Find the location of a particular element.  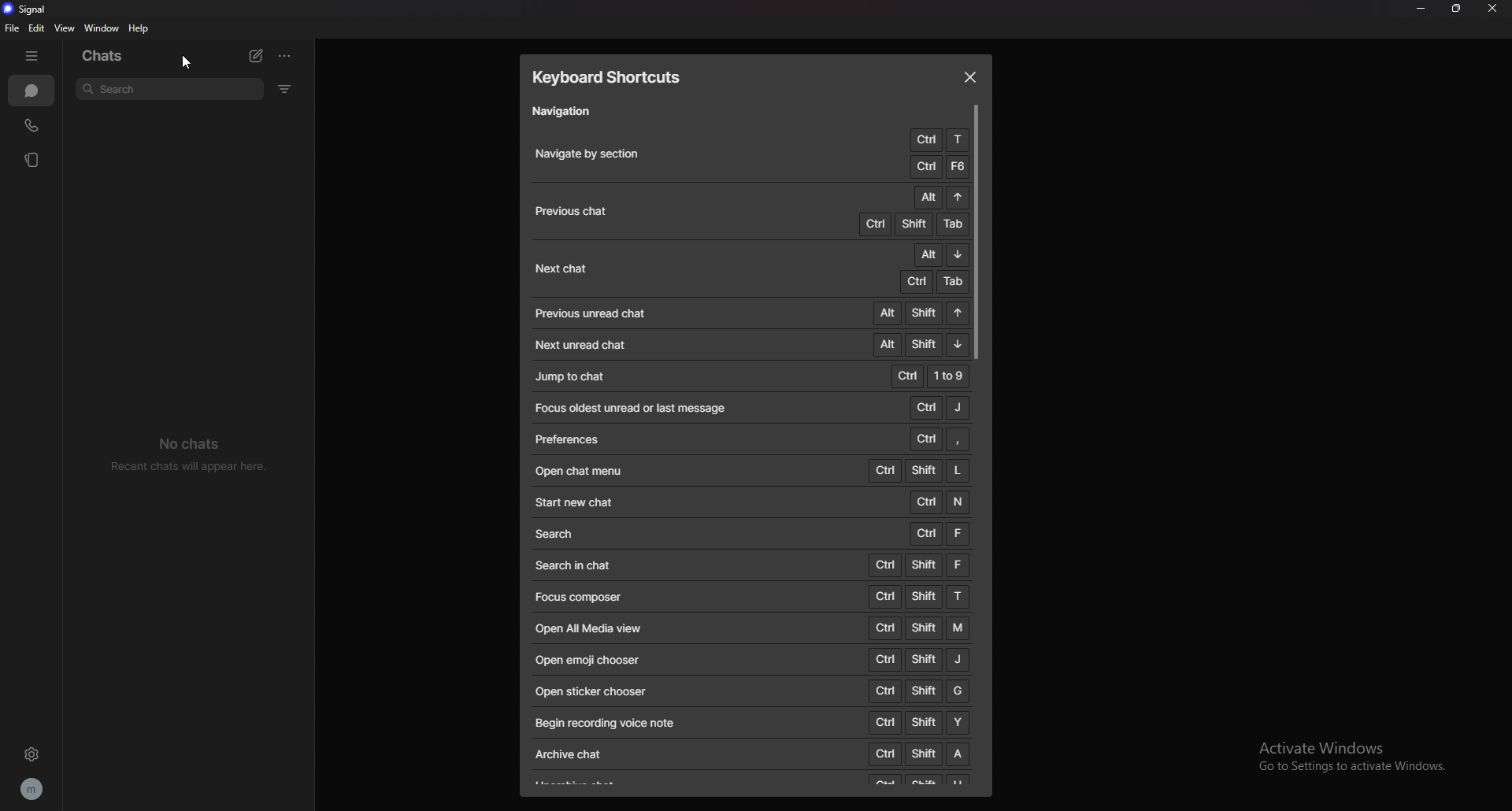

options is located at coordinates (287, 55).